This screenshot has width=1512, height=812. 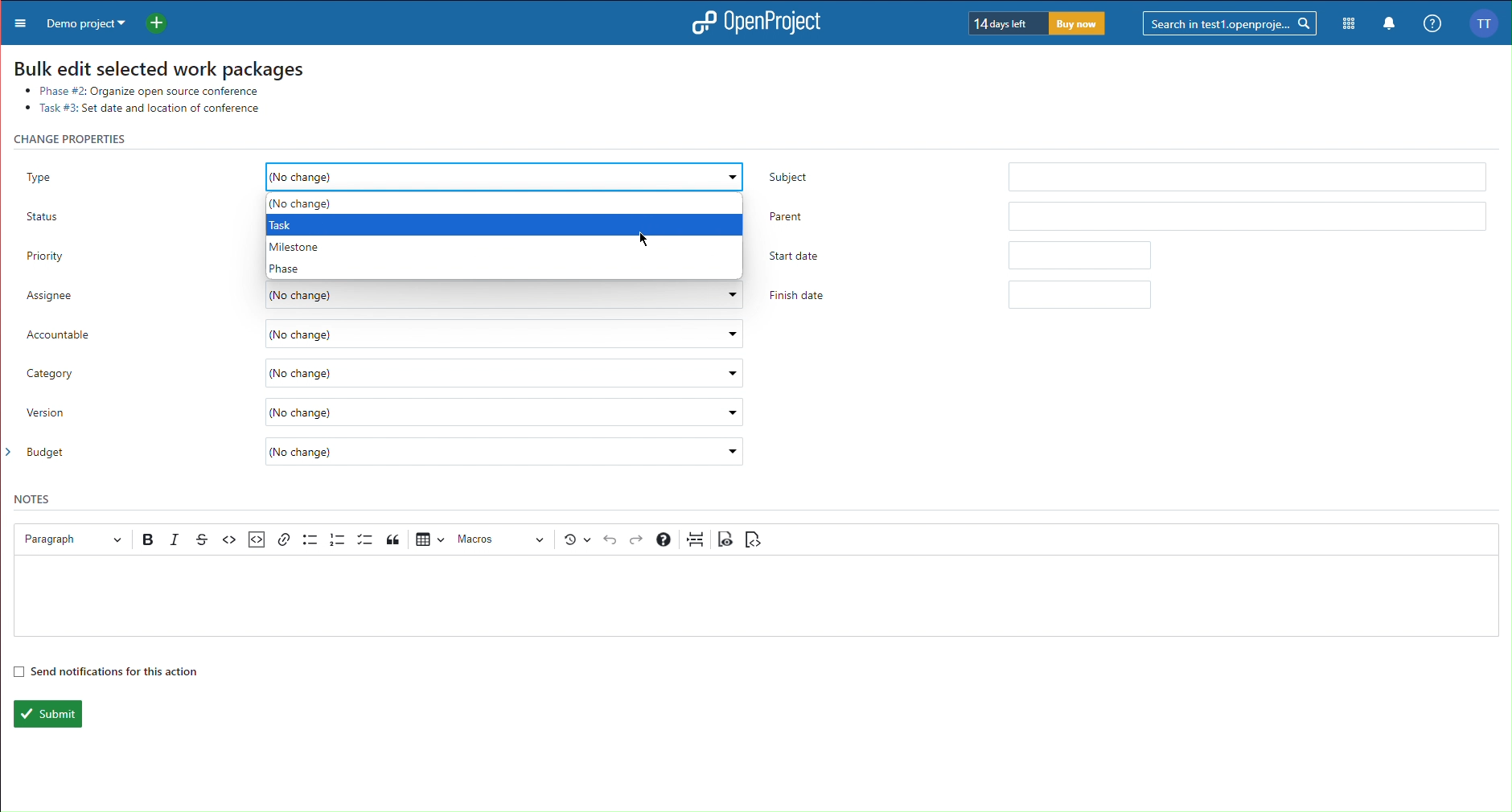 I want to click on Status, so click(x=133, y=214).